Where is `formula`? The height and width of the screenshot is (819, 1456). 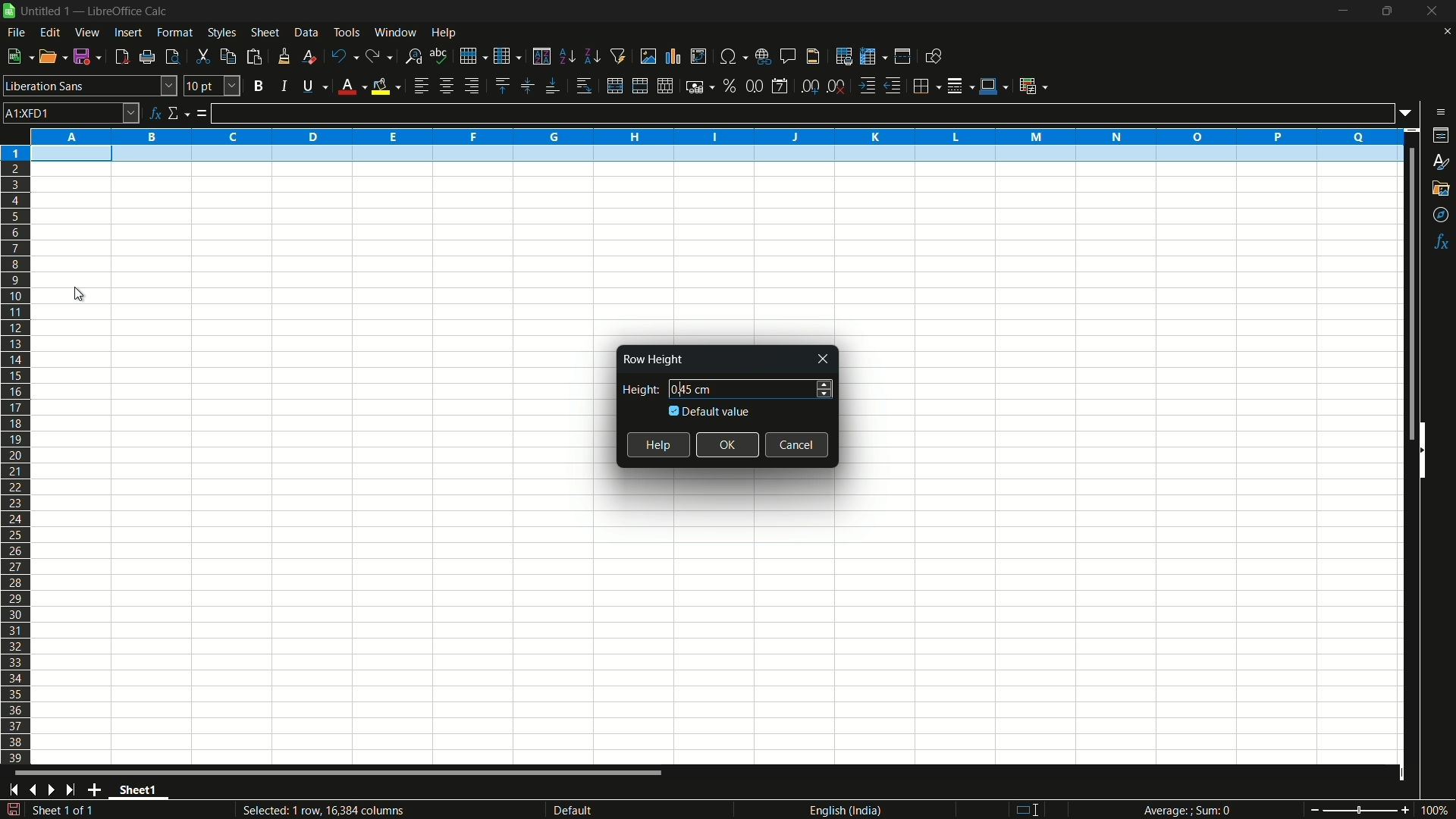 formula is located at coordinates (202, 115).